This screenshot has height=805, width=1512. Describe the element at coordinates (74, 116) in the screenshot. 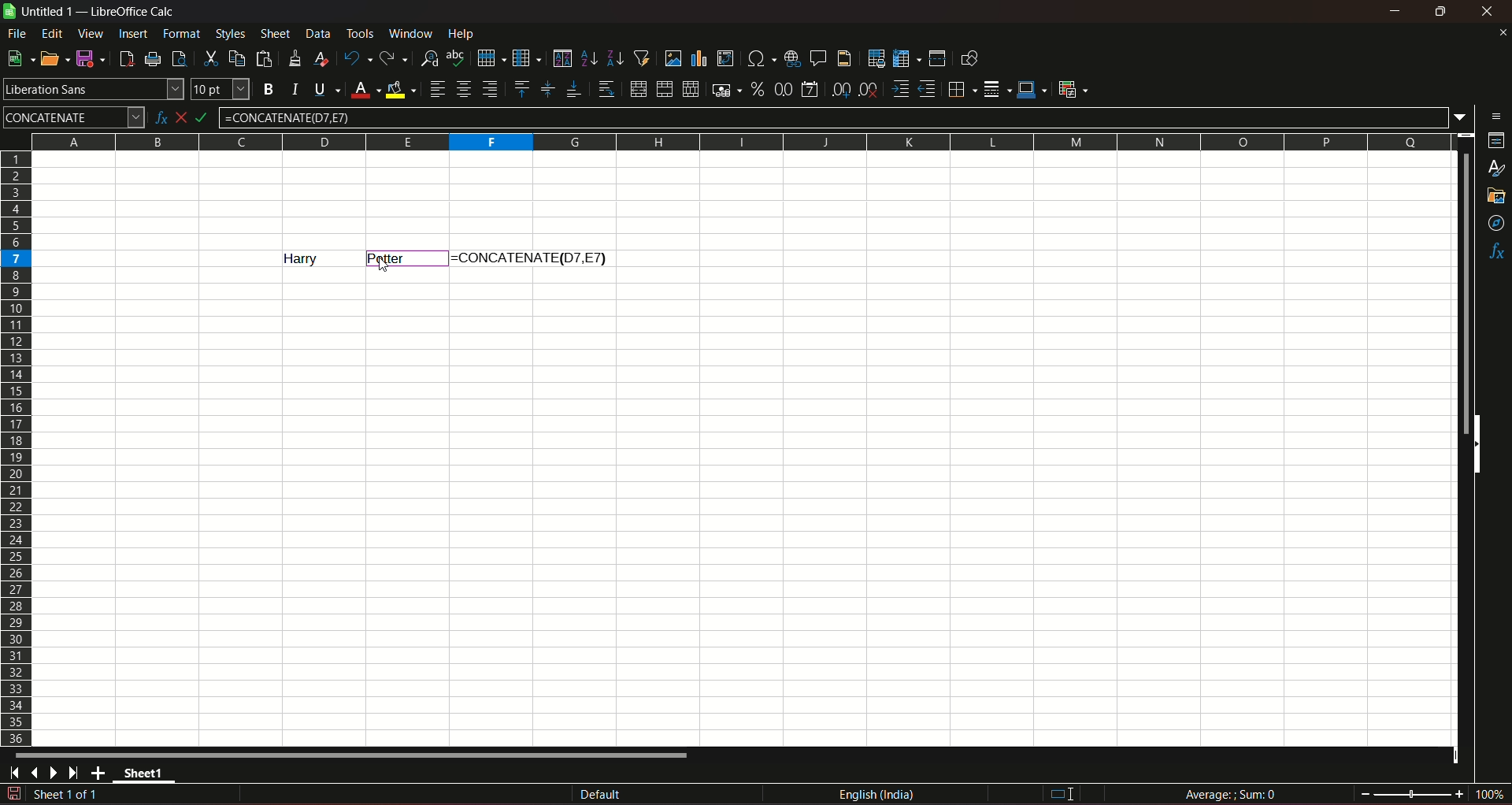

I see `name box` at that location.